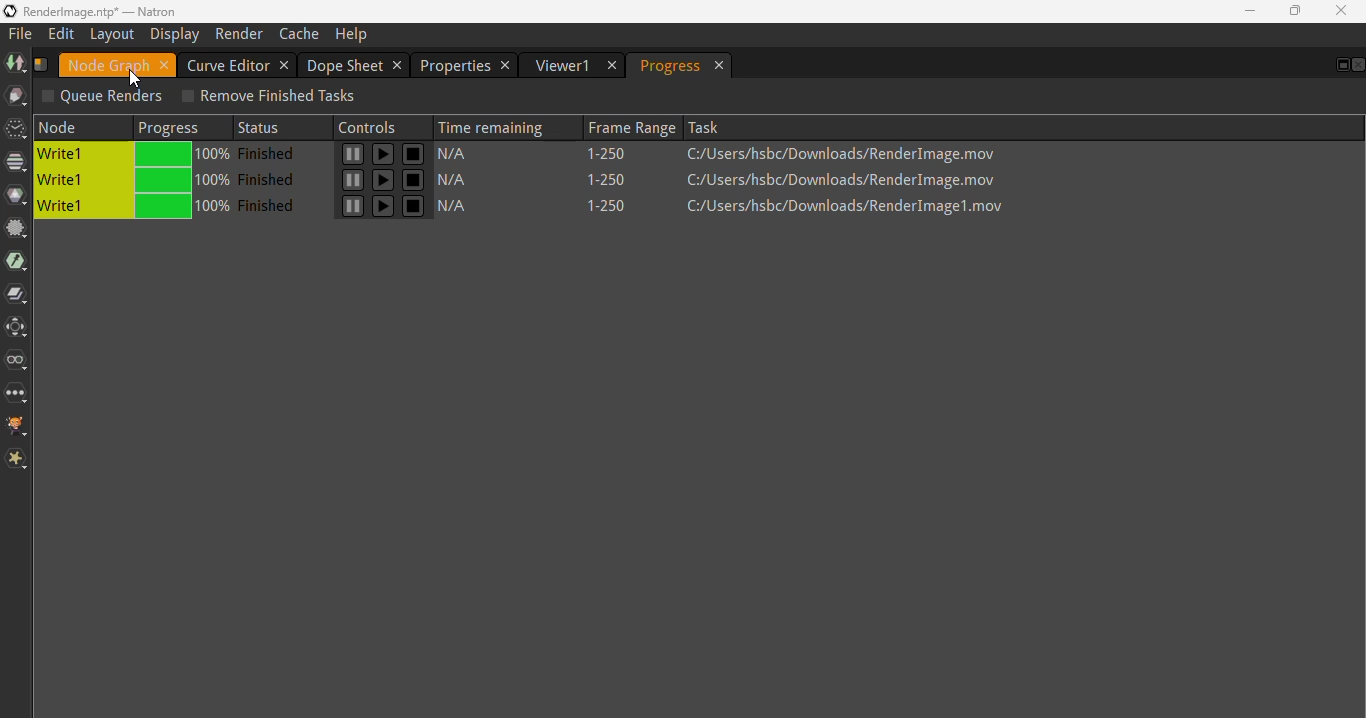 The image size is (1366, 718). What do you see at coordinates (227, 64) in the screenshot?
I see `curve editor` at bounding box center [227, 64].